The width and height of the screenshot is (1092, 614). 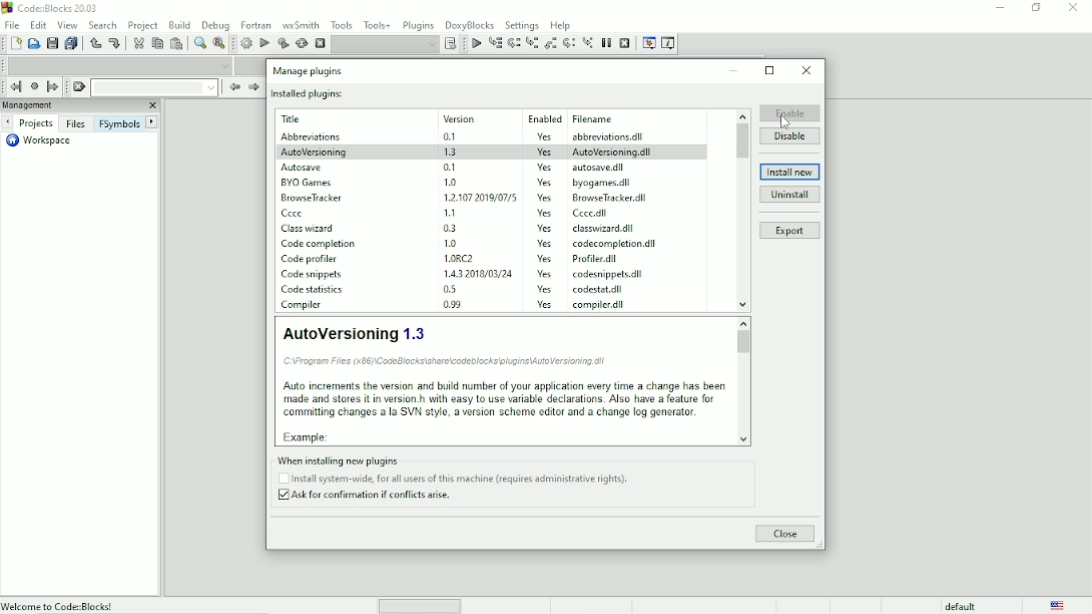 What do you see at coordinates (246, 43) in the screenshot?
I see `Build` at bounding box center [246, 43].